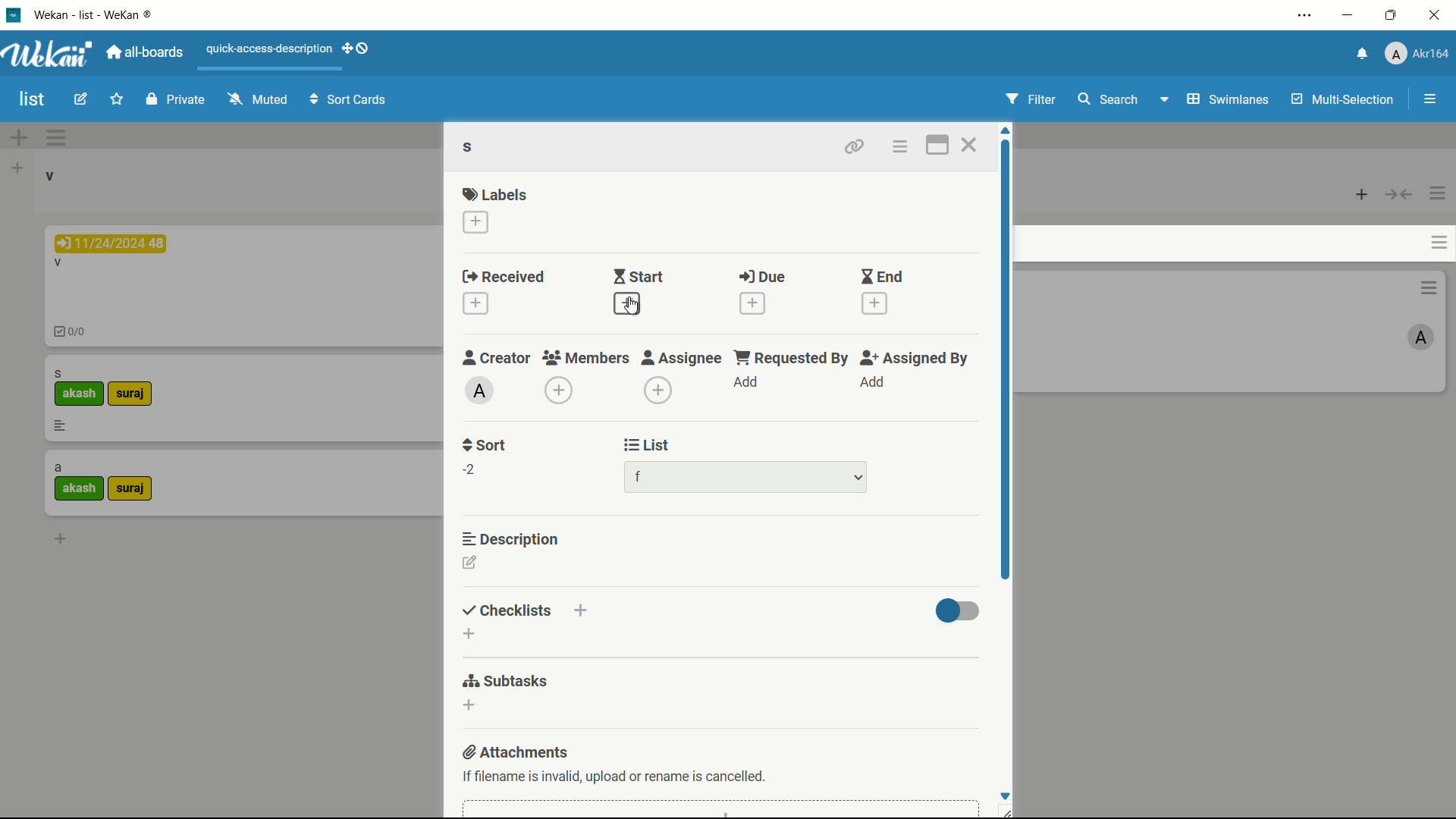  Describe the element at coordinates (49, 176) in the screenshot. I see `list name` at that location.